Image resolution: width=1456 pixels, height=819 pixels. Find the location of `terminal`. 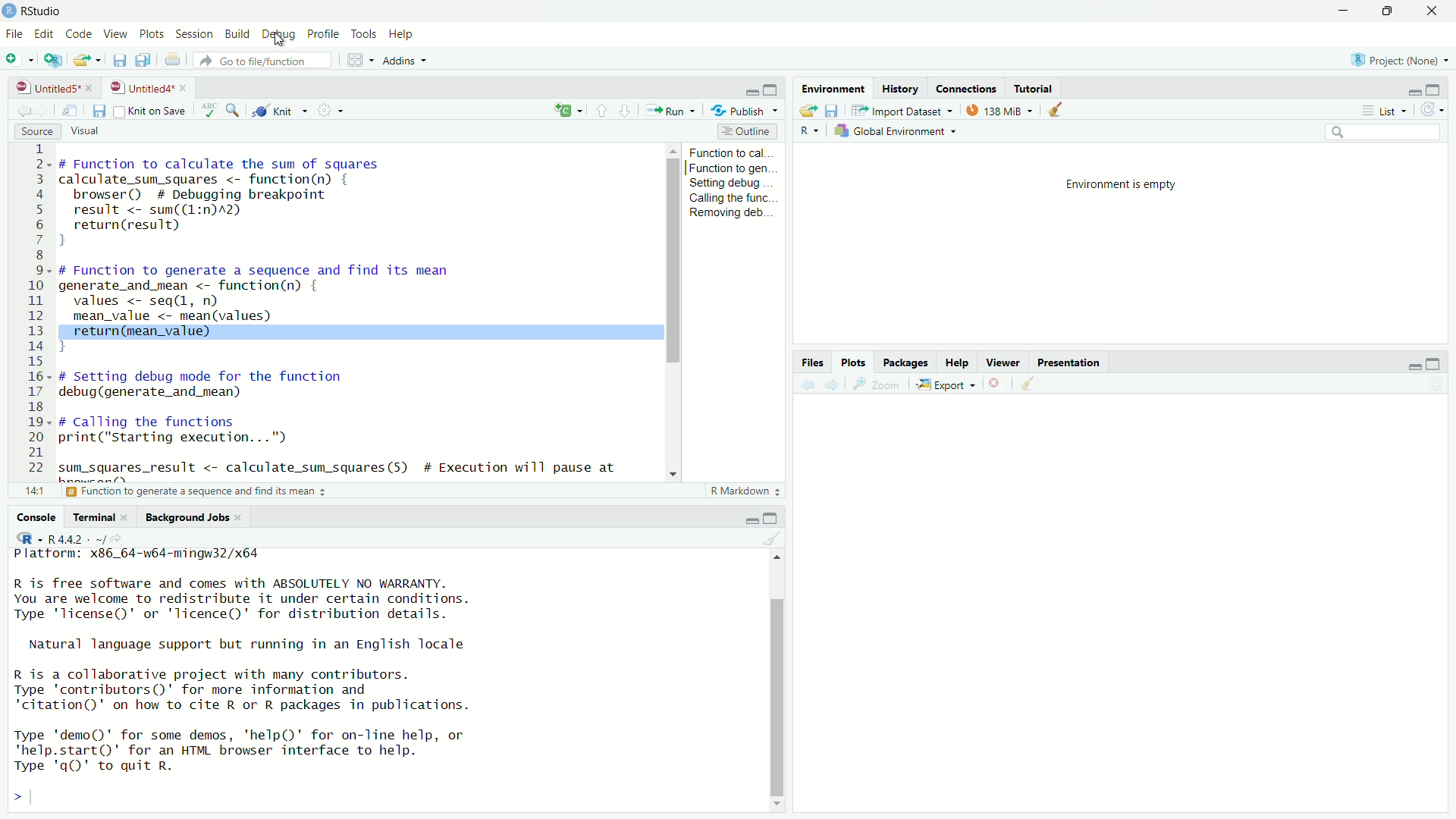

terminal is located at coordinates (90, 516).